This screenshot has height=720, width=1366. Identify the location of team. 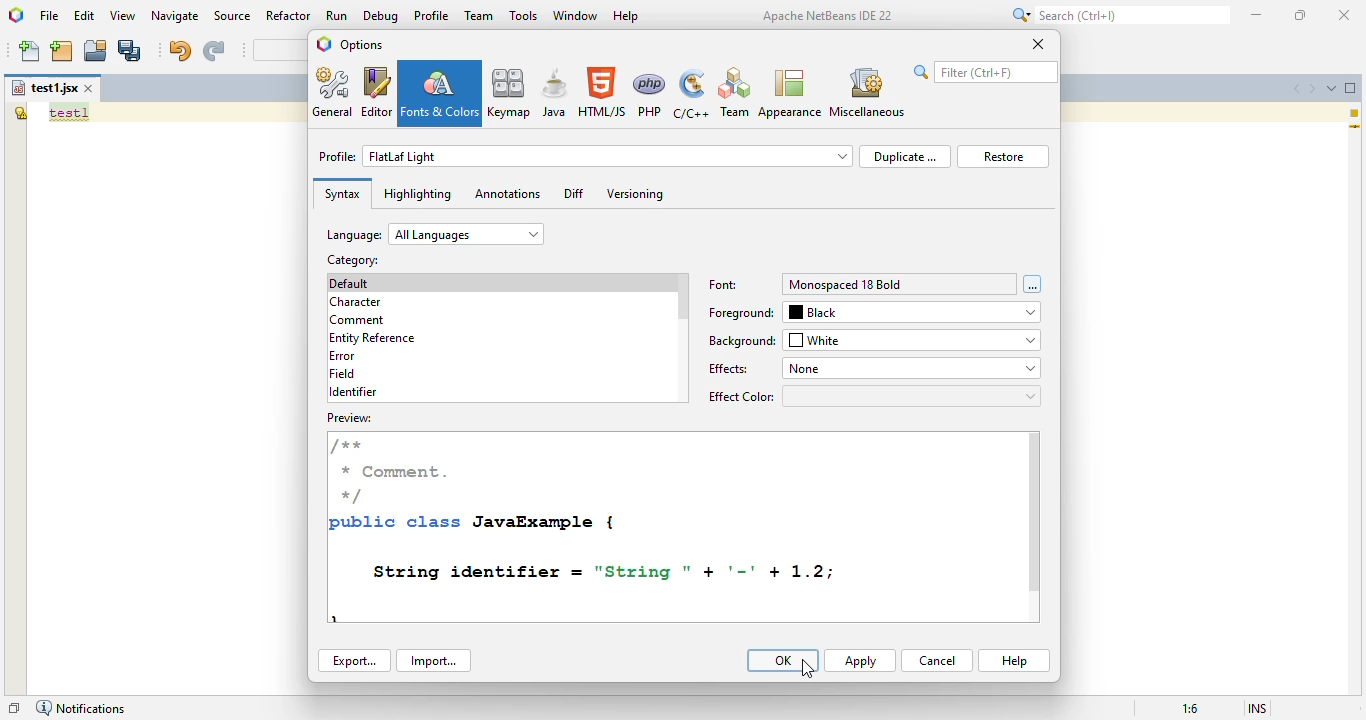
(480, 15).